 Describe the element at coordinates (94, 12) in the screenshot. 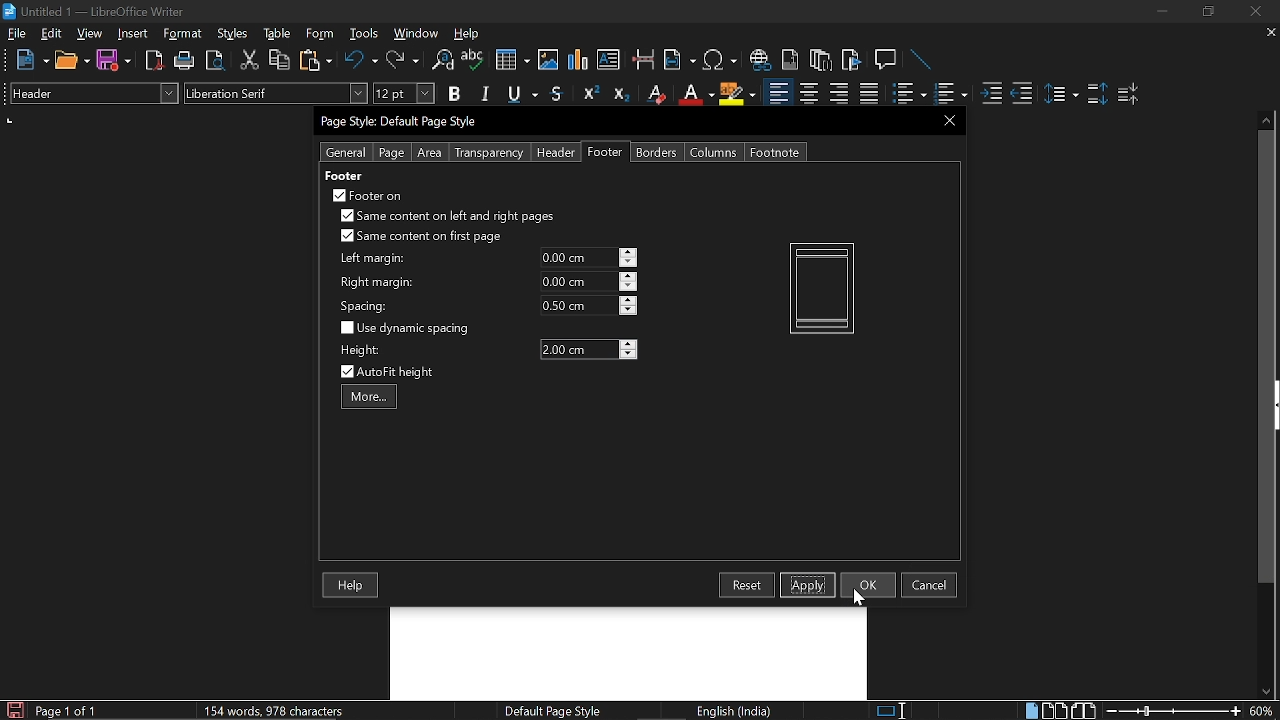

I see `Current window` at that location.